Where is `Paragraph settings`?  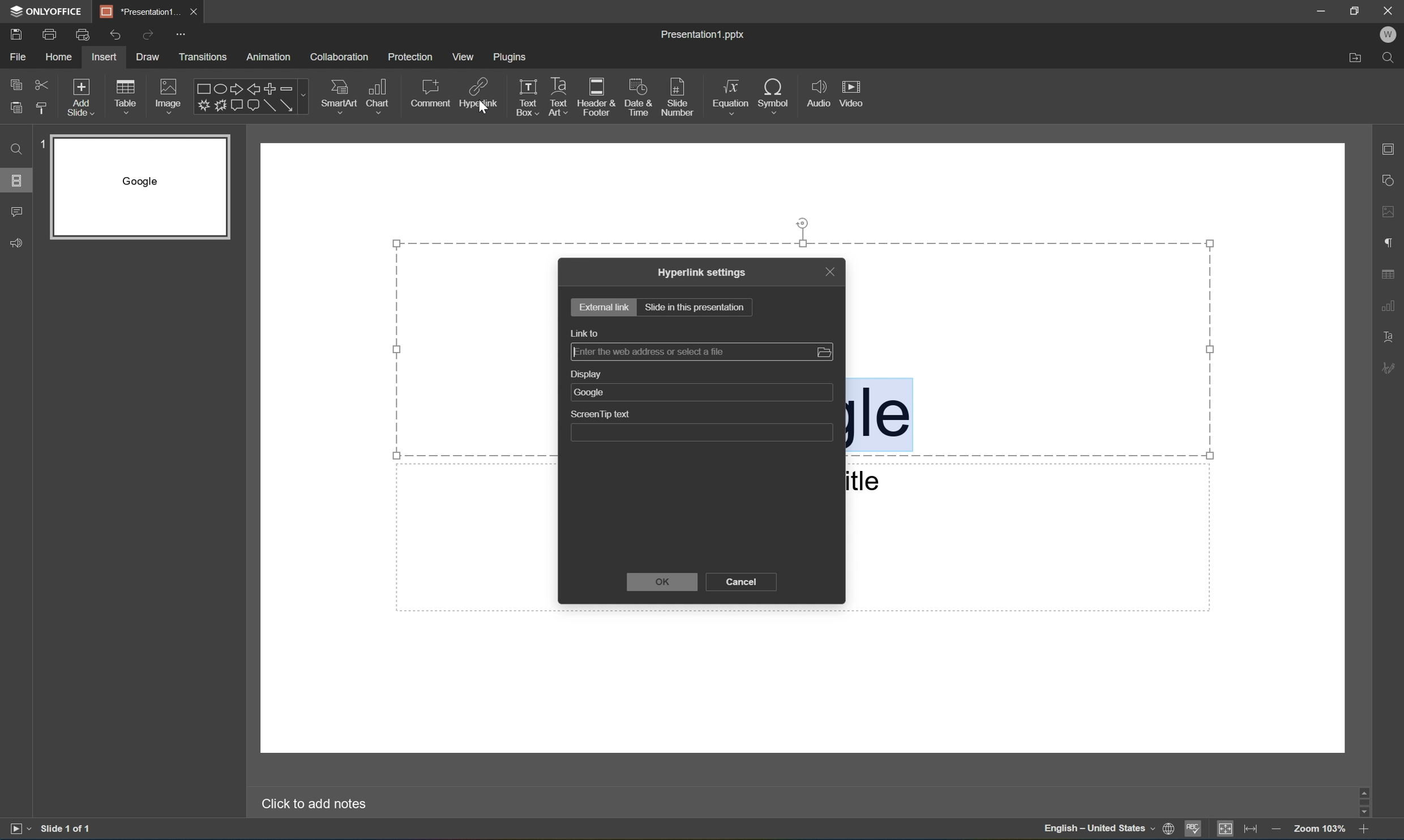 Paragraph settings is located at coordinates (1387, 244).